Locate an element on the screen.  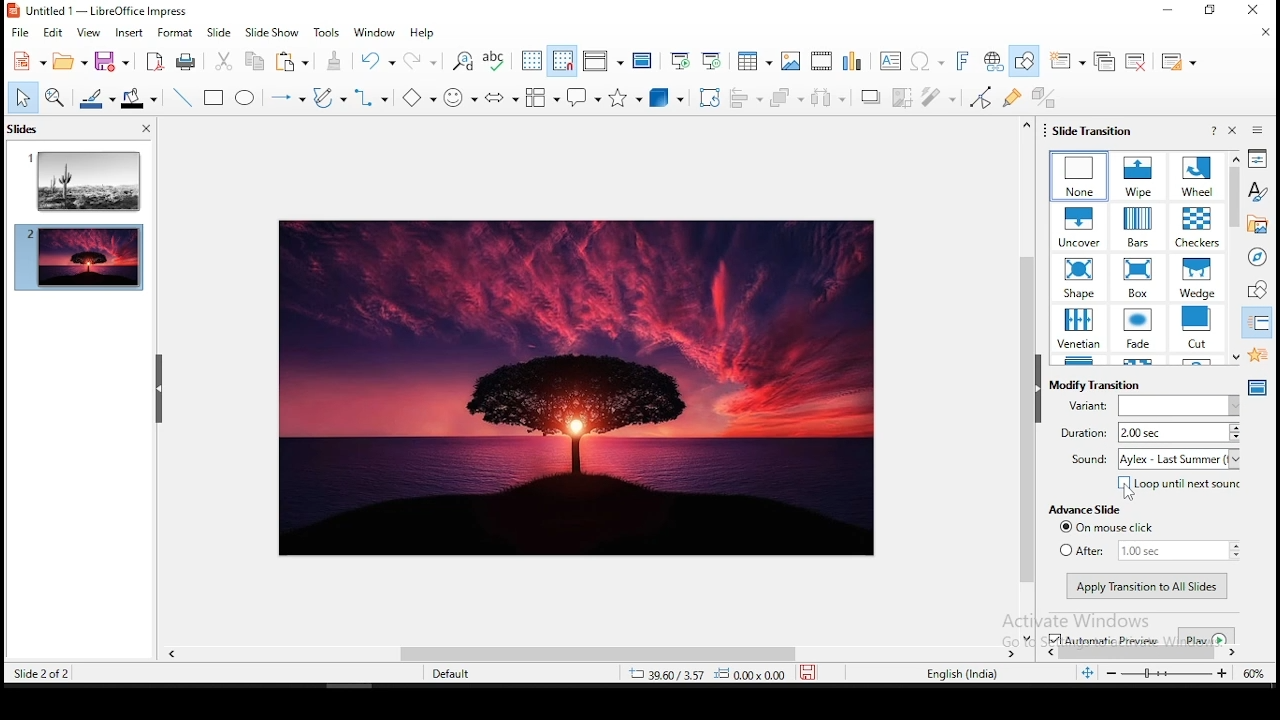
paste is located at coordinates (293, 63).